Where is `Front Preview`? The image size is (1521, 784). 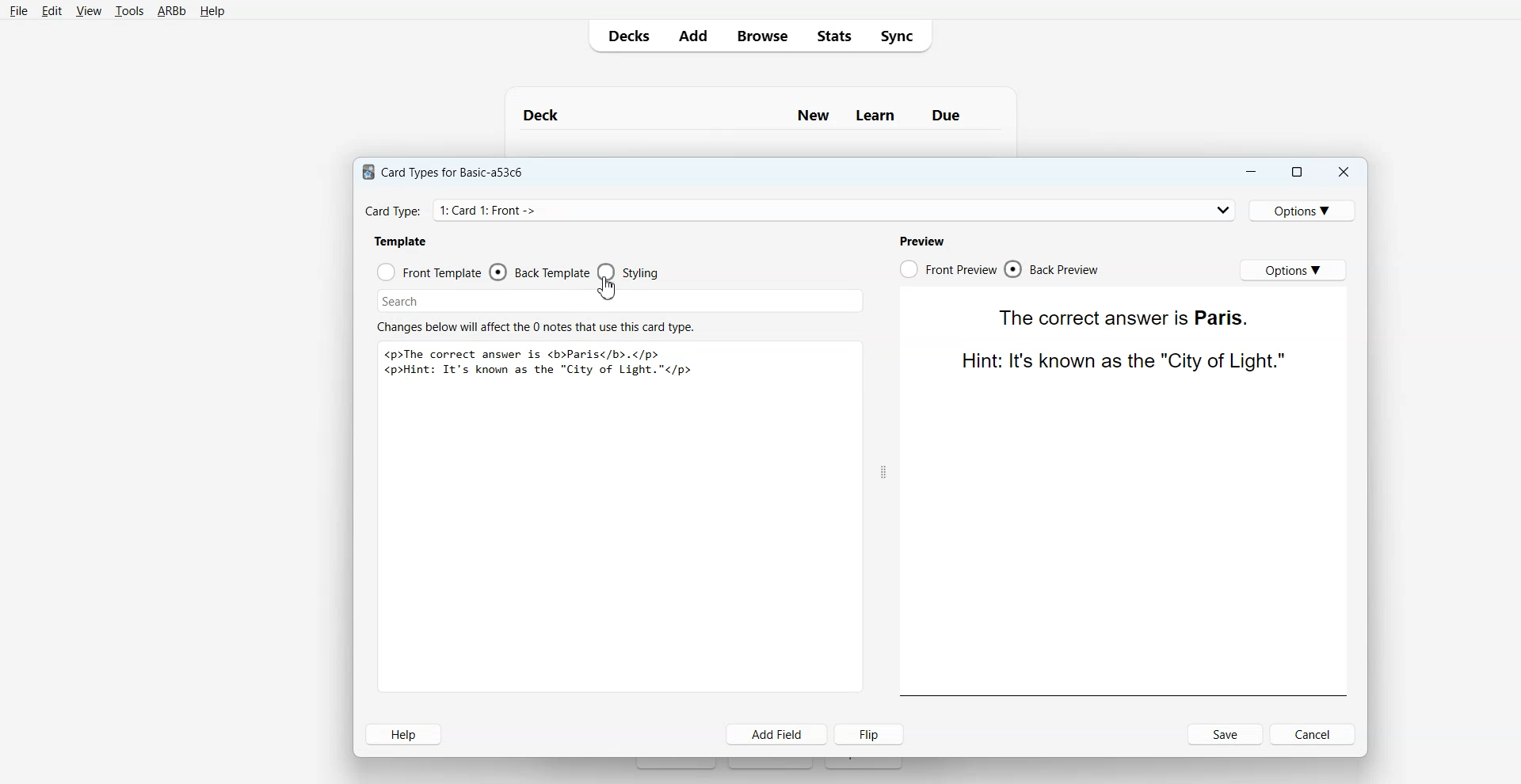
Front Preview is located at coordinates (947, 269).